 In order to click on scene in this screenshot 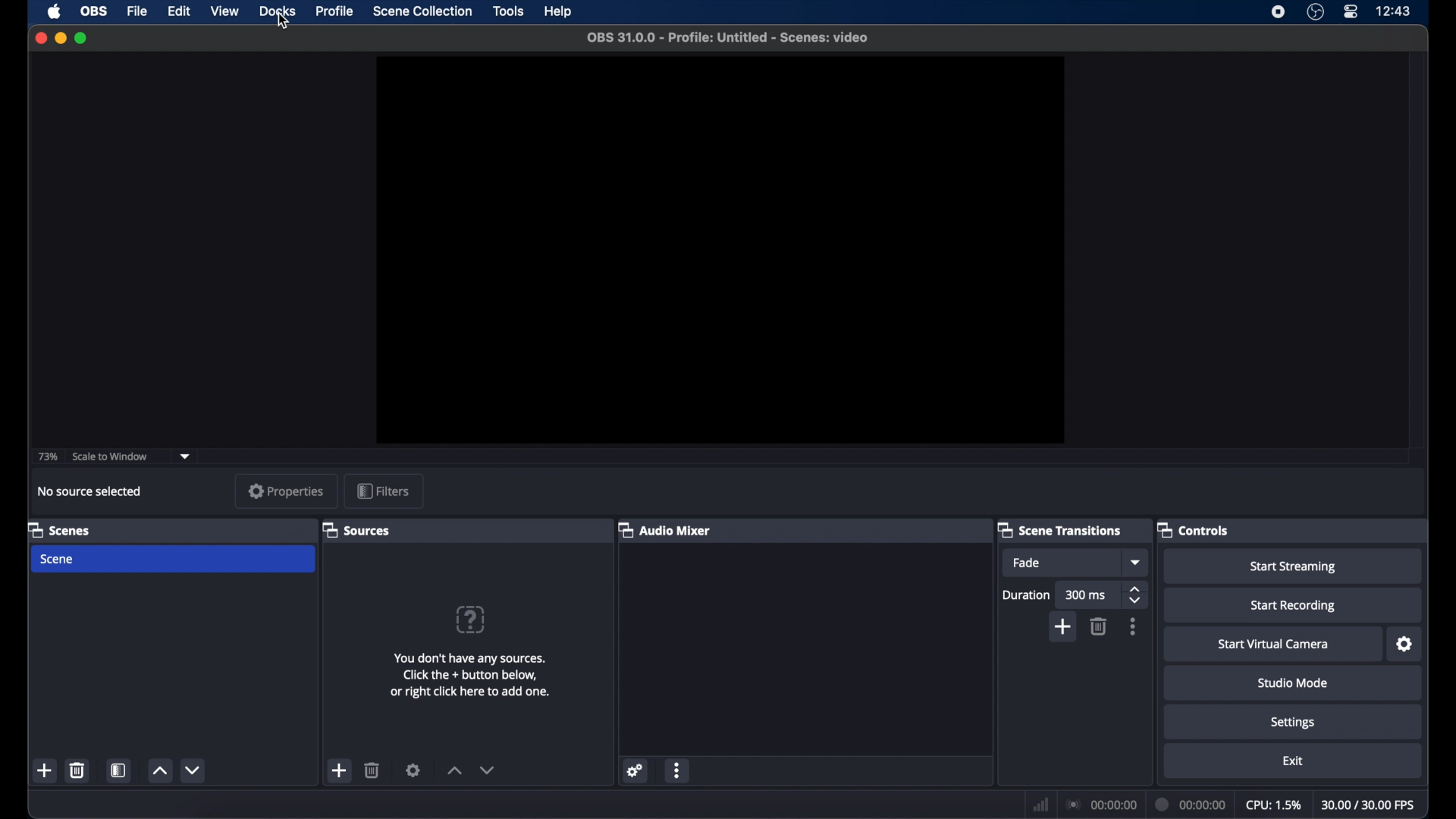, I will do `click(58, 560)`.